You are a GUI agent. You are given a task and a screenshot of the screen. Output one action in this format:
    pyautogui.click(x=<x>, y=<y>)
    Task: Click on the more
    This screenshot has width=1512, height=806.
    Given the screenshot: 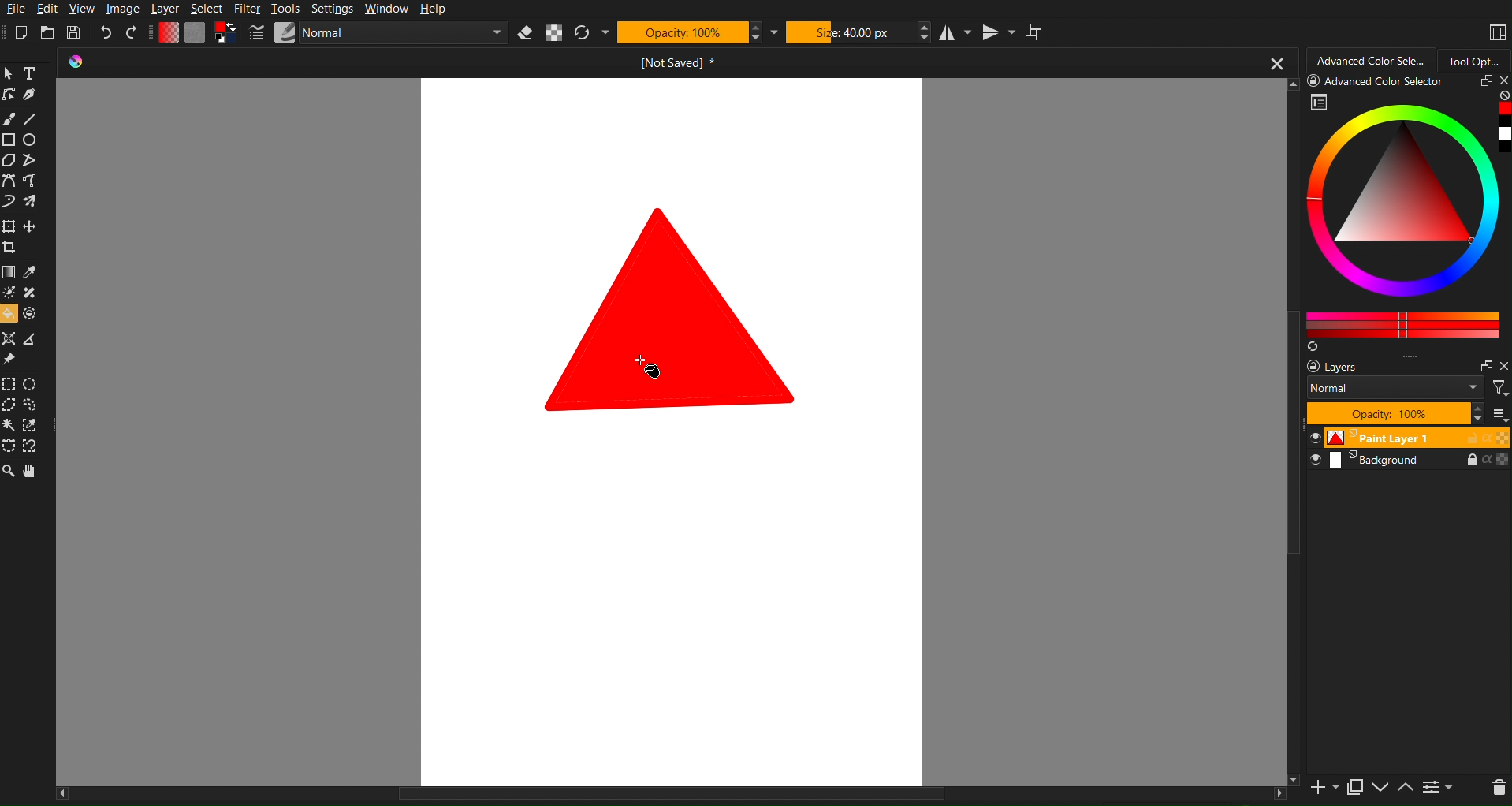 What is the action you would take?
    pyautogui.click(x=1498, y=414)
    